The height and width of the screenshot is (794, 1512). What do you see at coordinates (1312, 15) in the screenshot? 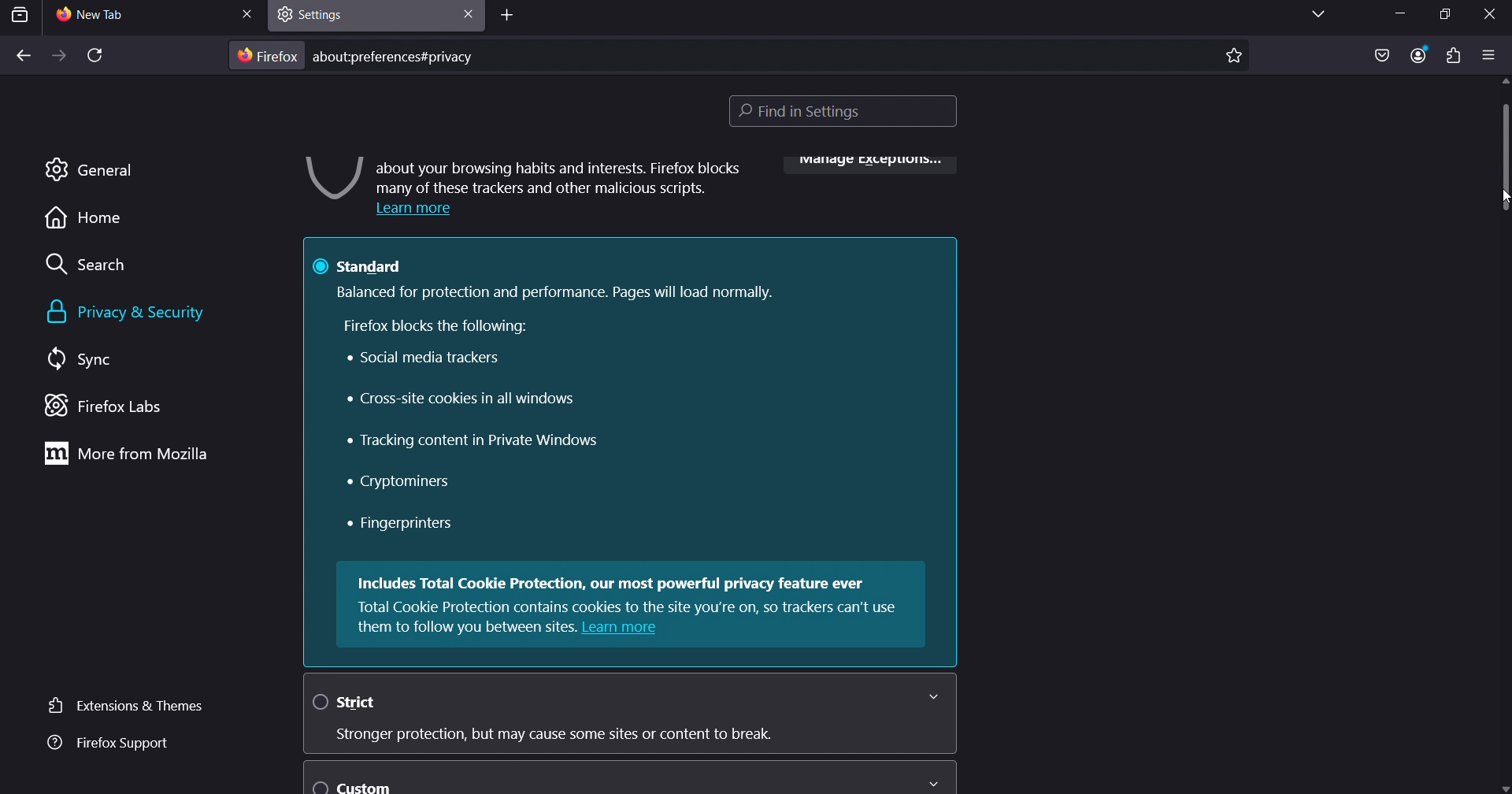
I see `list all tabs` at bounding box center [1312, 15].